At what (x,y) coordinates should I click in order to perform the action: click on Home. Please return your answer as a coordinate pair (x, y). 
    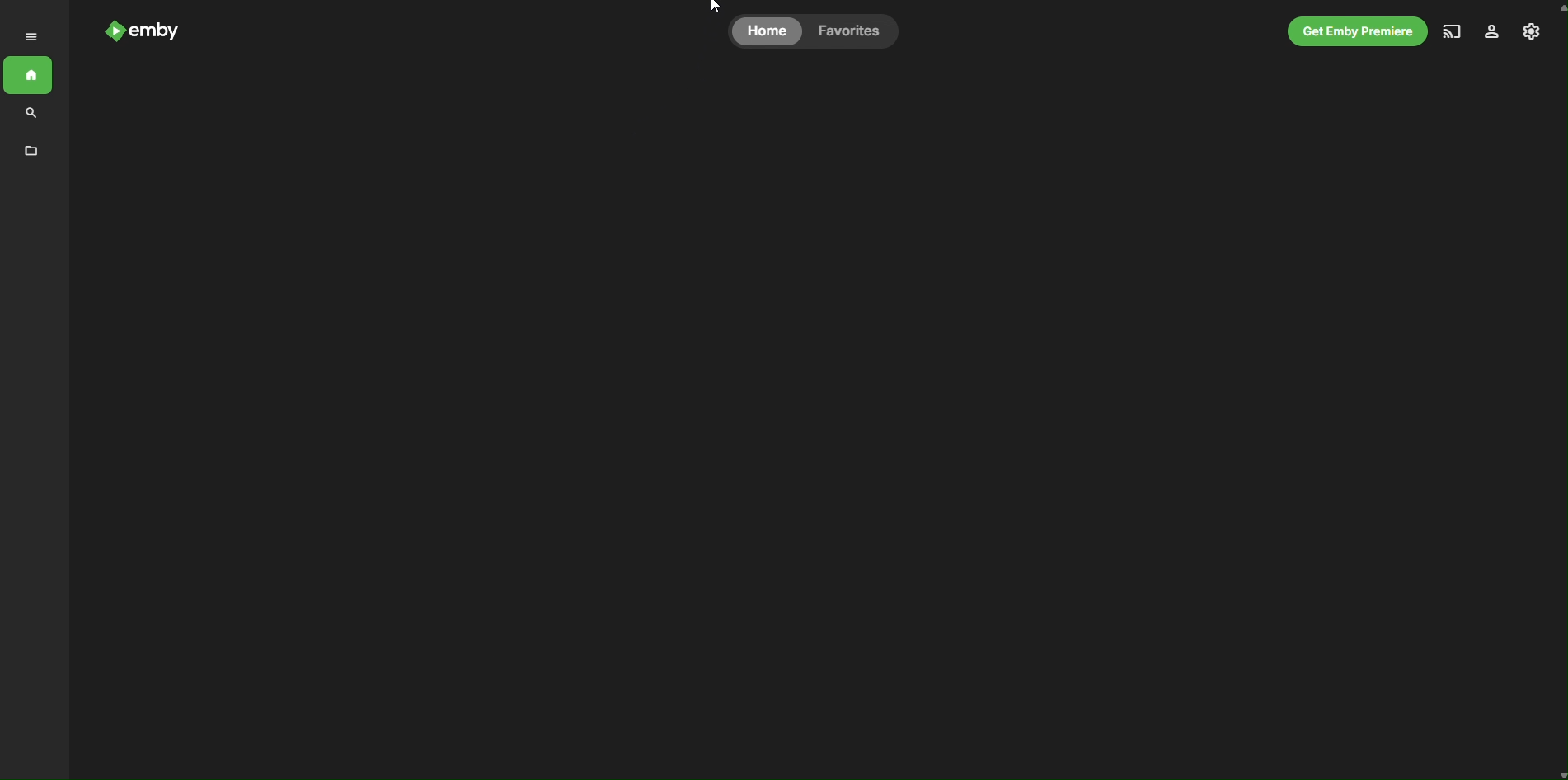
    Looking at the image, I should click on (32, 80).